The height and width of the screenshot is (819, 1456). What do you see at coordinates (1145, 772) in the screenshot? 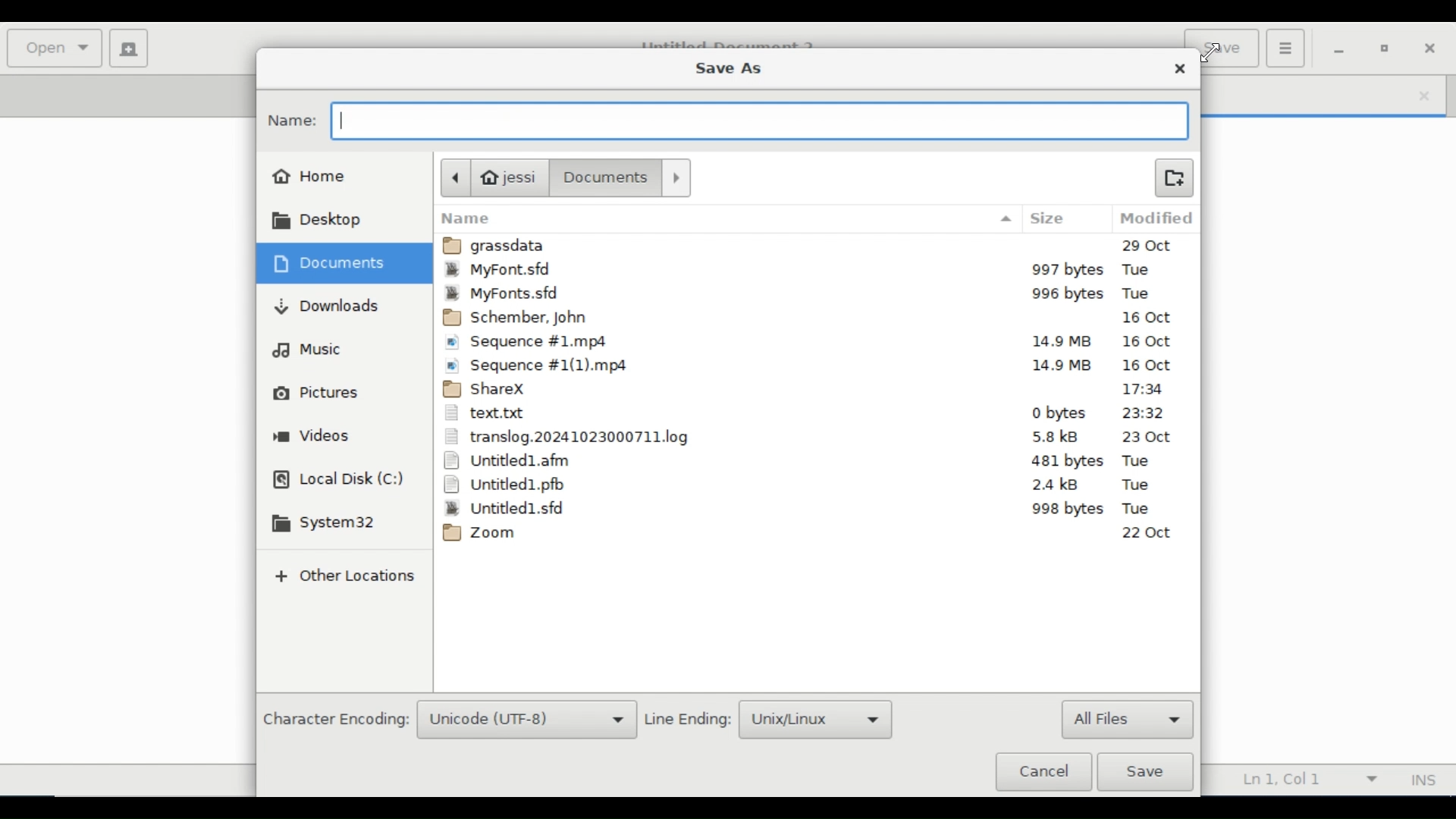
I see `Save` at bounding box center [1145, 772].